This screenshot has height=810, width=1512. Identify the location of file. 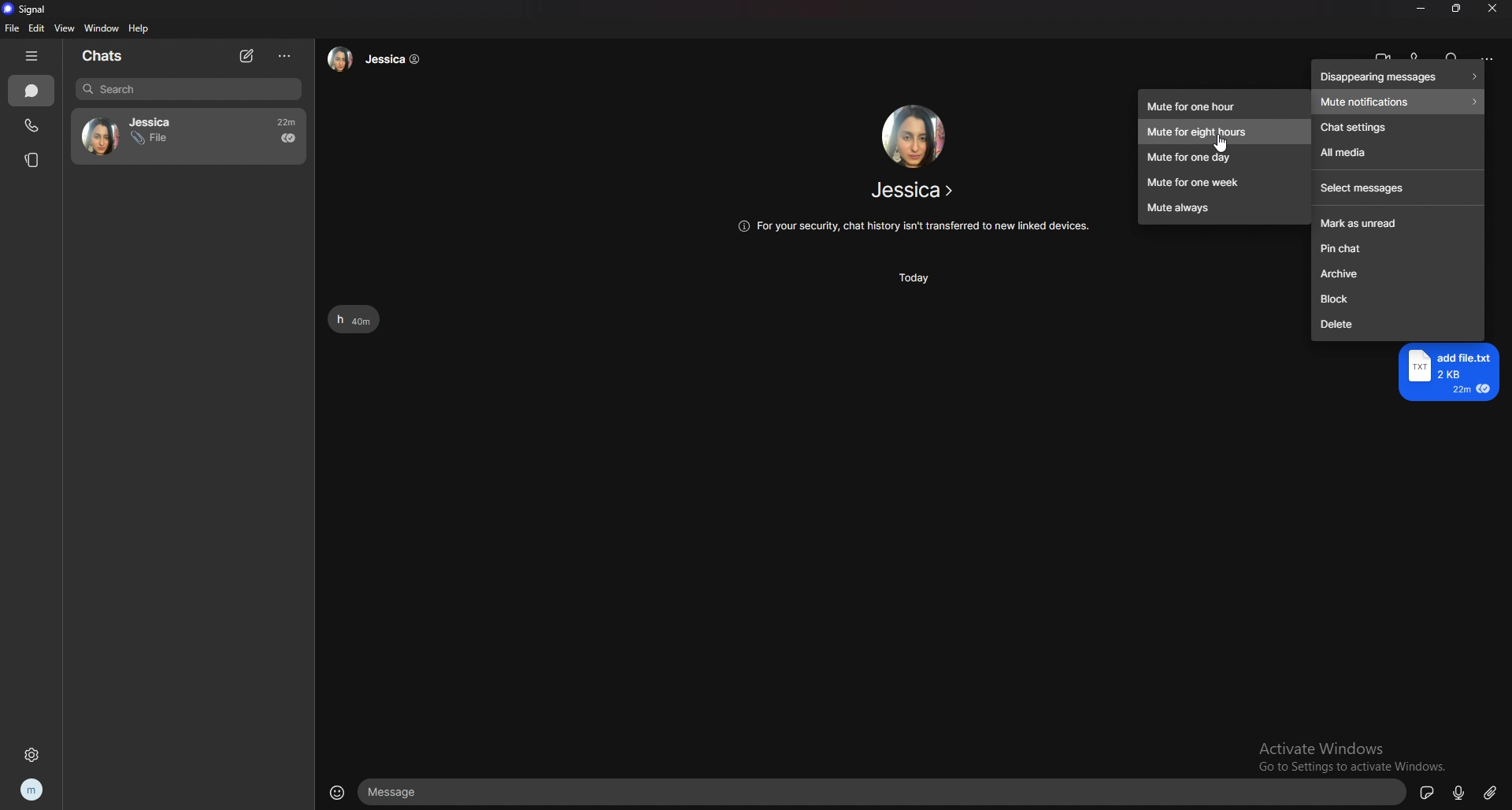
(13, 28).